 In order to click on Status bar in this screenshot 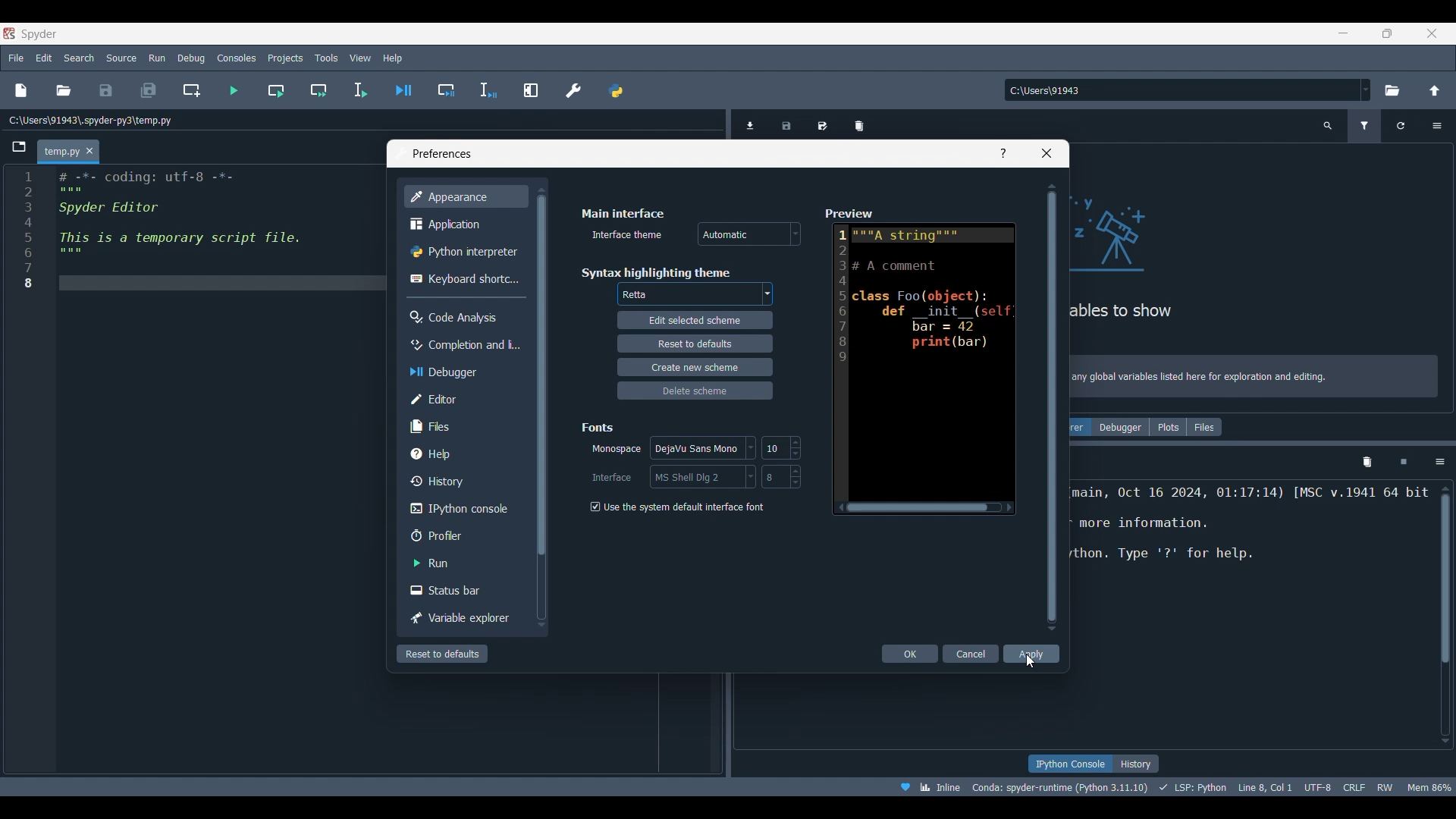, I will do `click(465, 589)`.